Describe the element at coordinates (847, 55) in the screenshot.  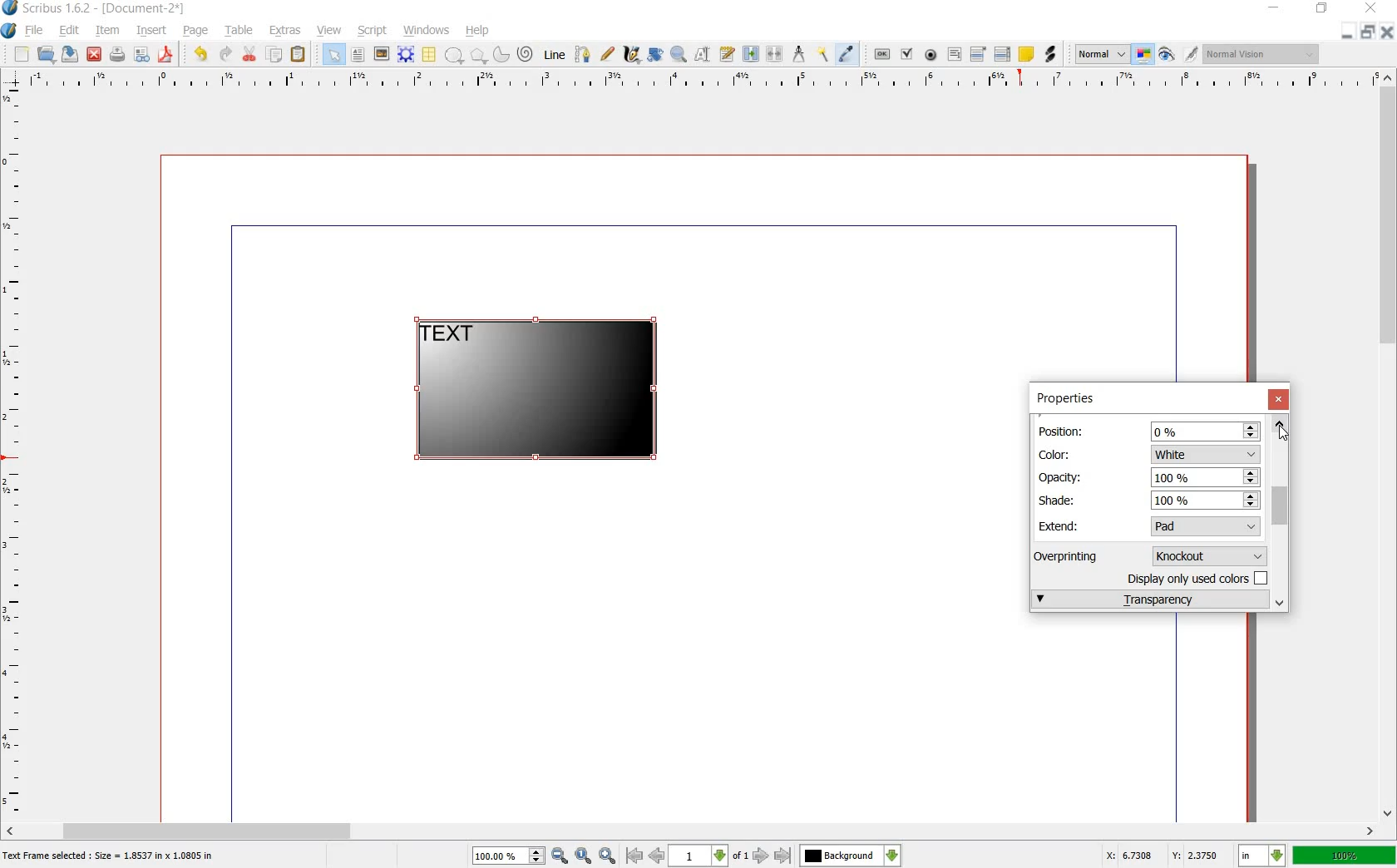
I see `eye dropper` at that location.